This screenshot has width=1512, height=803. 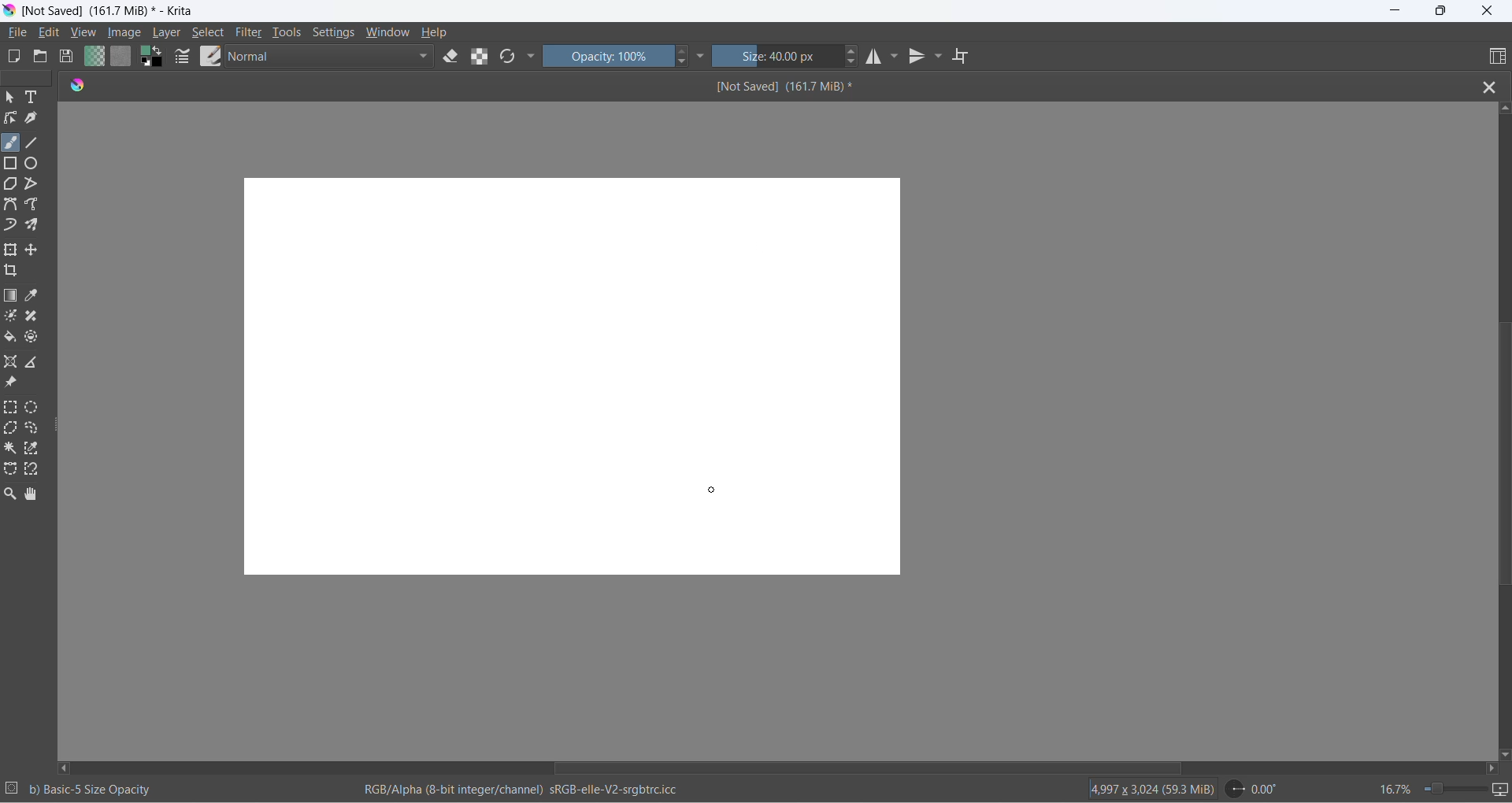 I want to click on open document, so click(x=40, y=57).